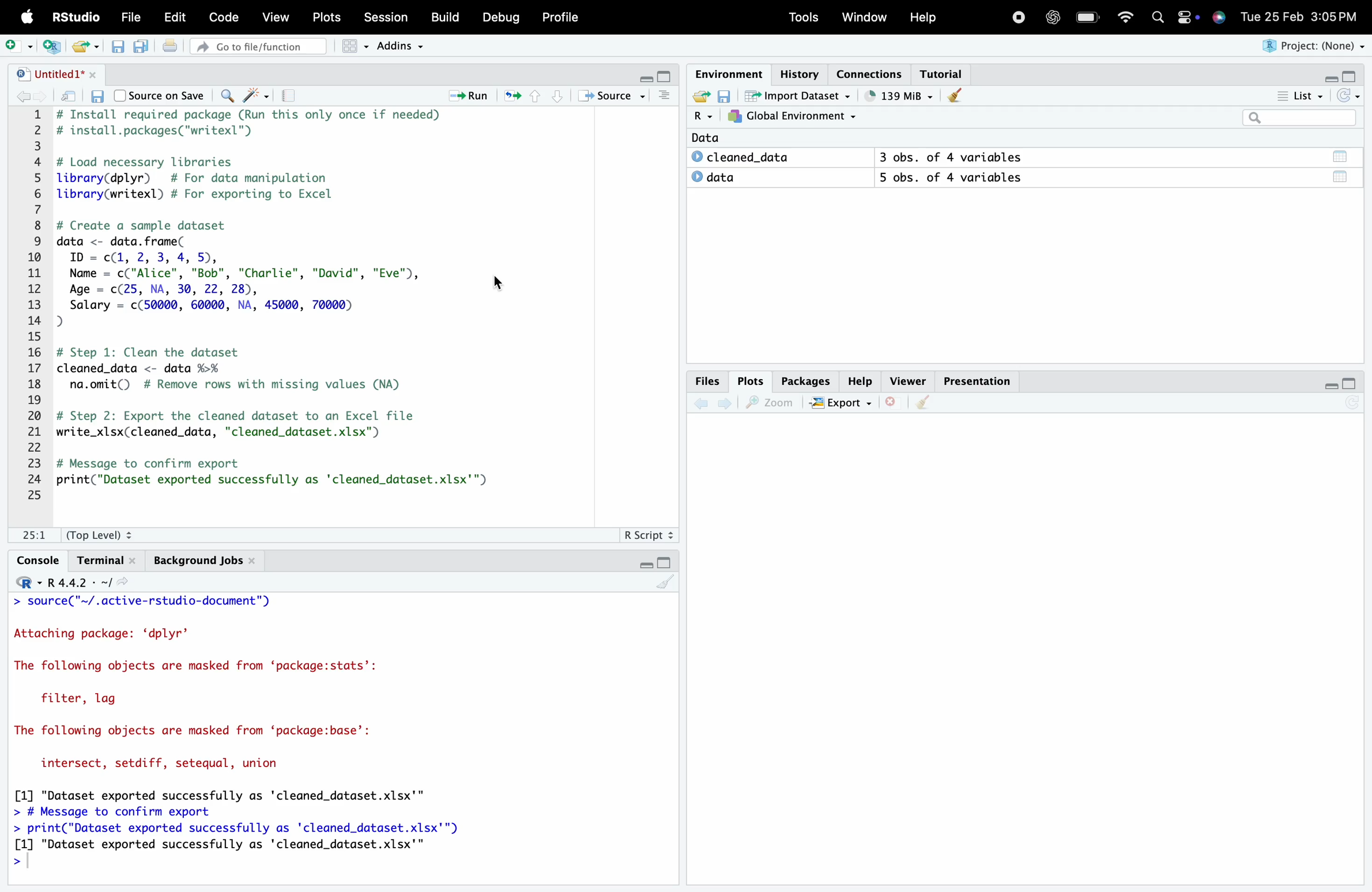 This screenshot has height=892, width=1372. What do you see at coordinates (96, 96) in the screenshot?
I see `Save current document (Ctrl + S)` at bounding box center [96, 96].